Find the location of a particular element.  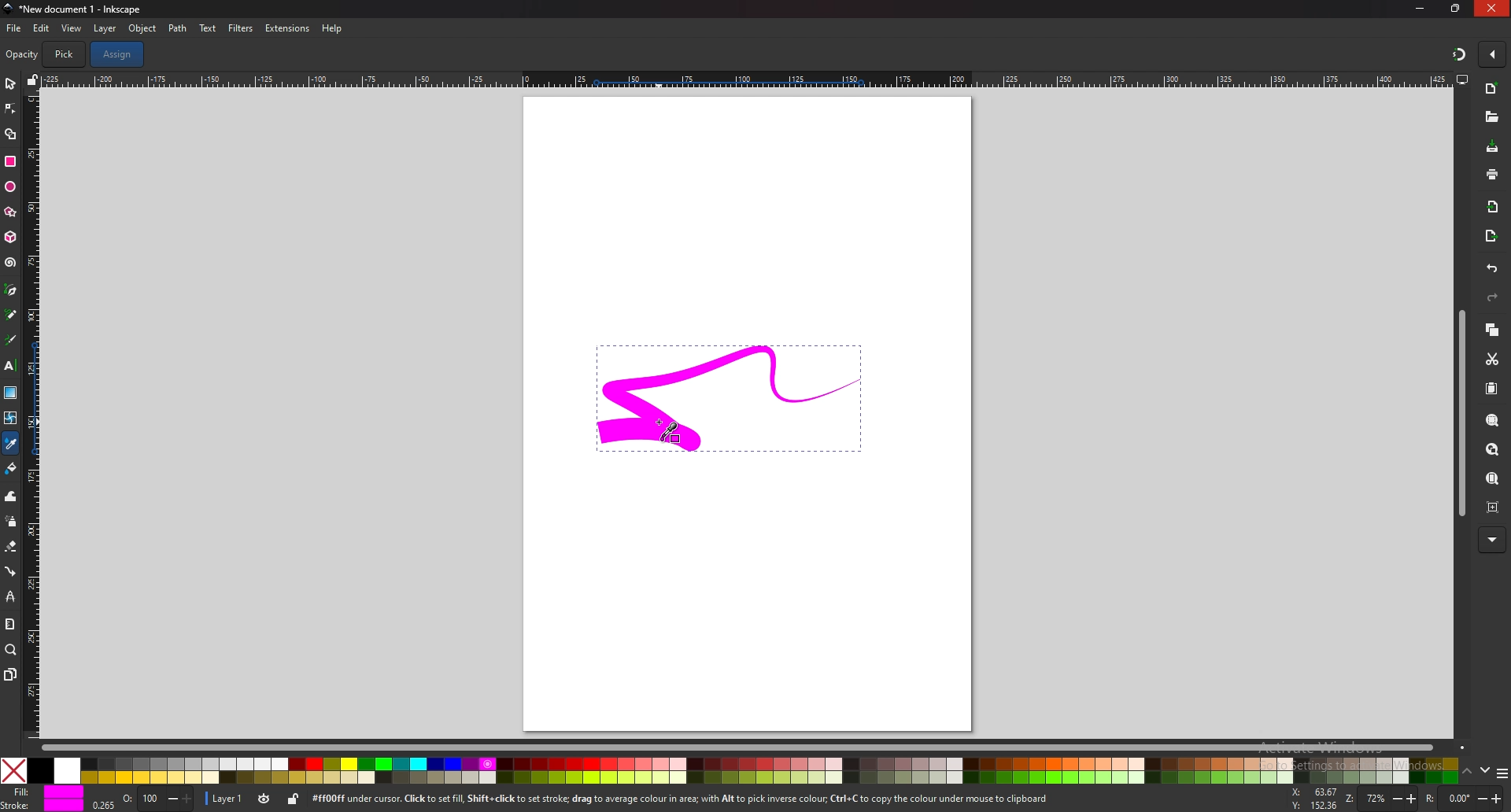

scroll bar is located at coordinates (1462, 415).